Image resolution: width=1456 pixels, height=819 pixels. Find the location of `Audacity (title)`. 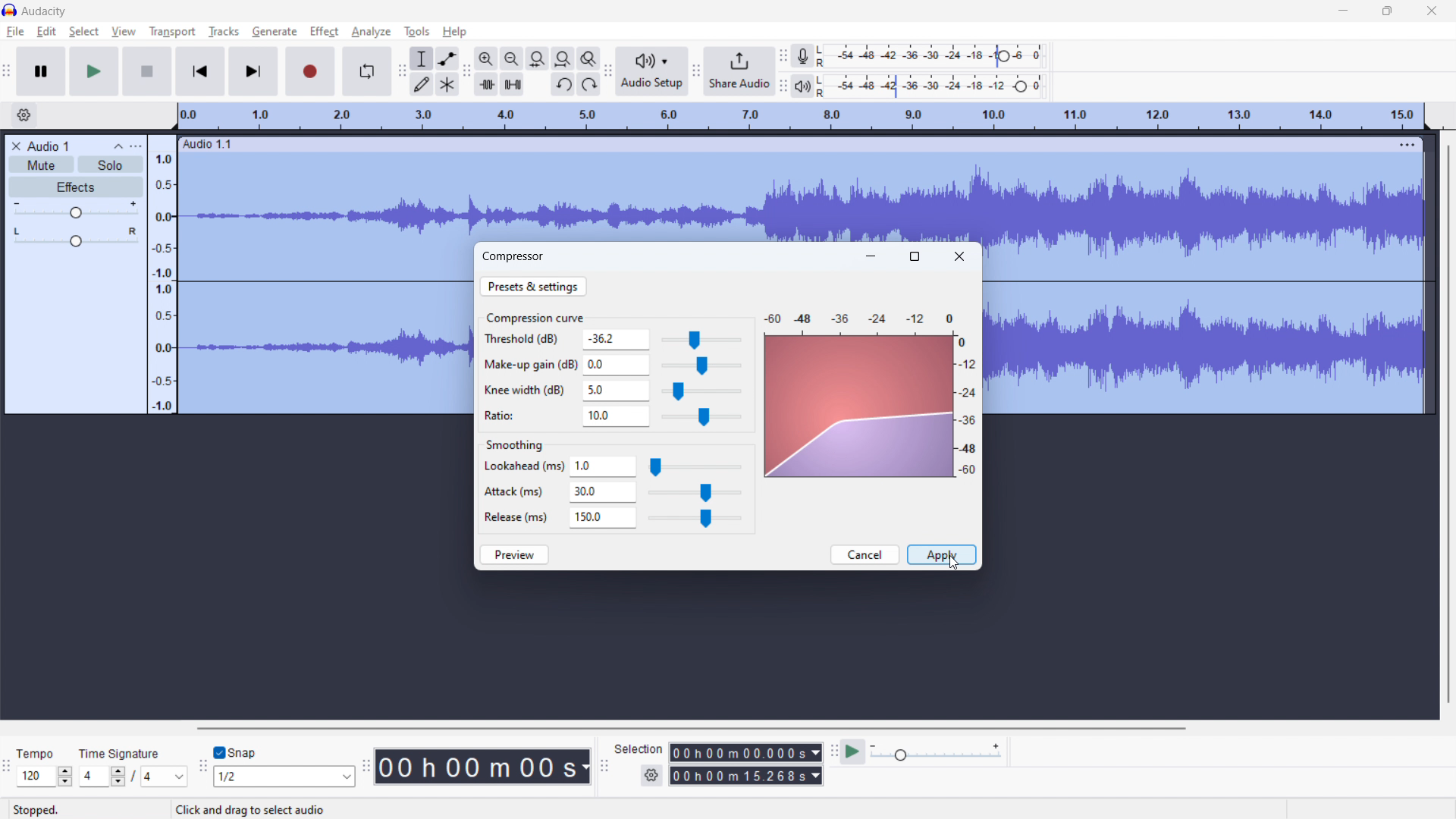

Audacity (title) is located at coordinates (49, 10).